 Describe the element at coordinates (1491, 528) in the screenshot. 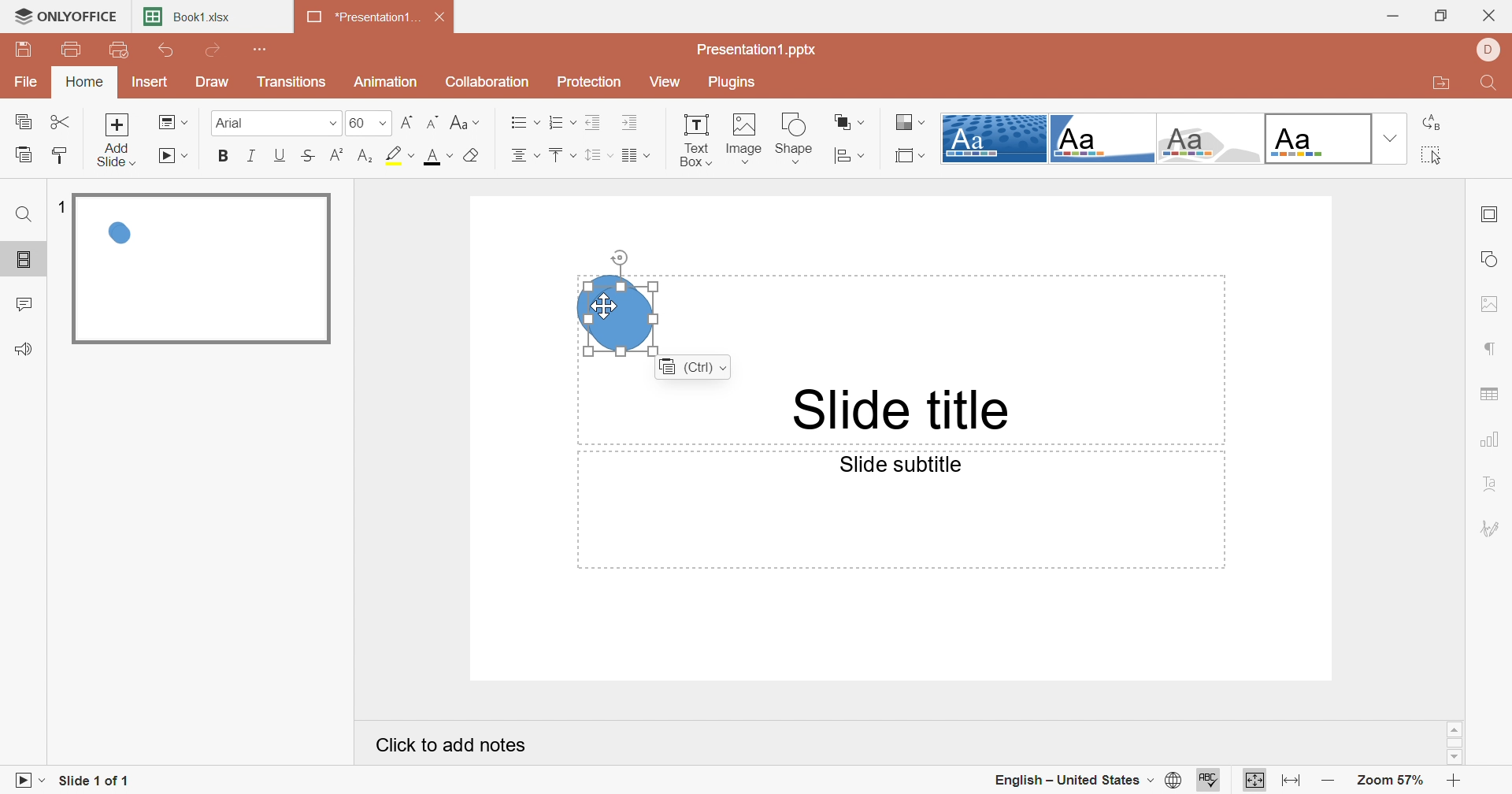

I see `Signature settings` at that location.